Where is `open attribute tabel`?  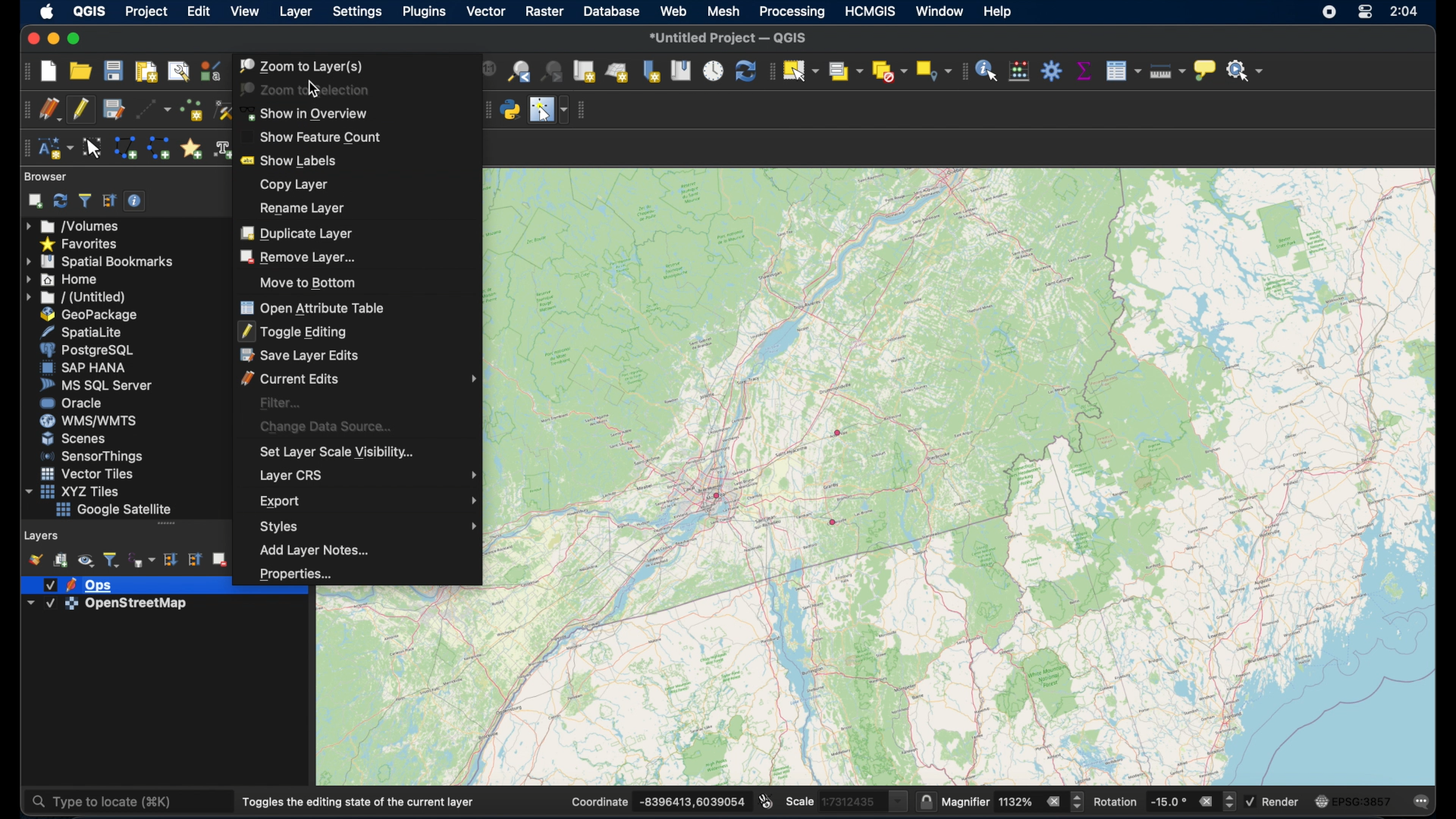 open attribute tabel is located at coordinates (312, 306).